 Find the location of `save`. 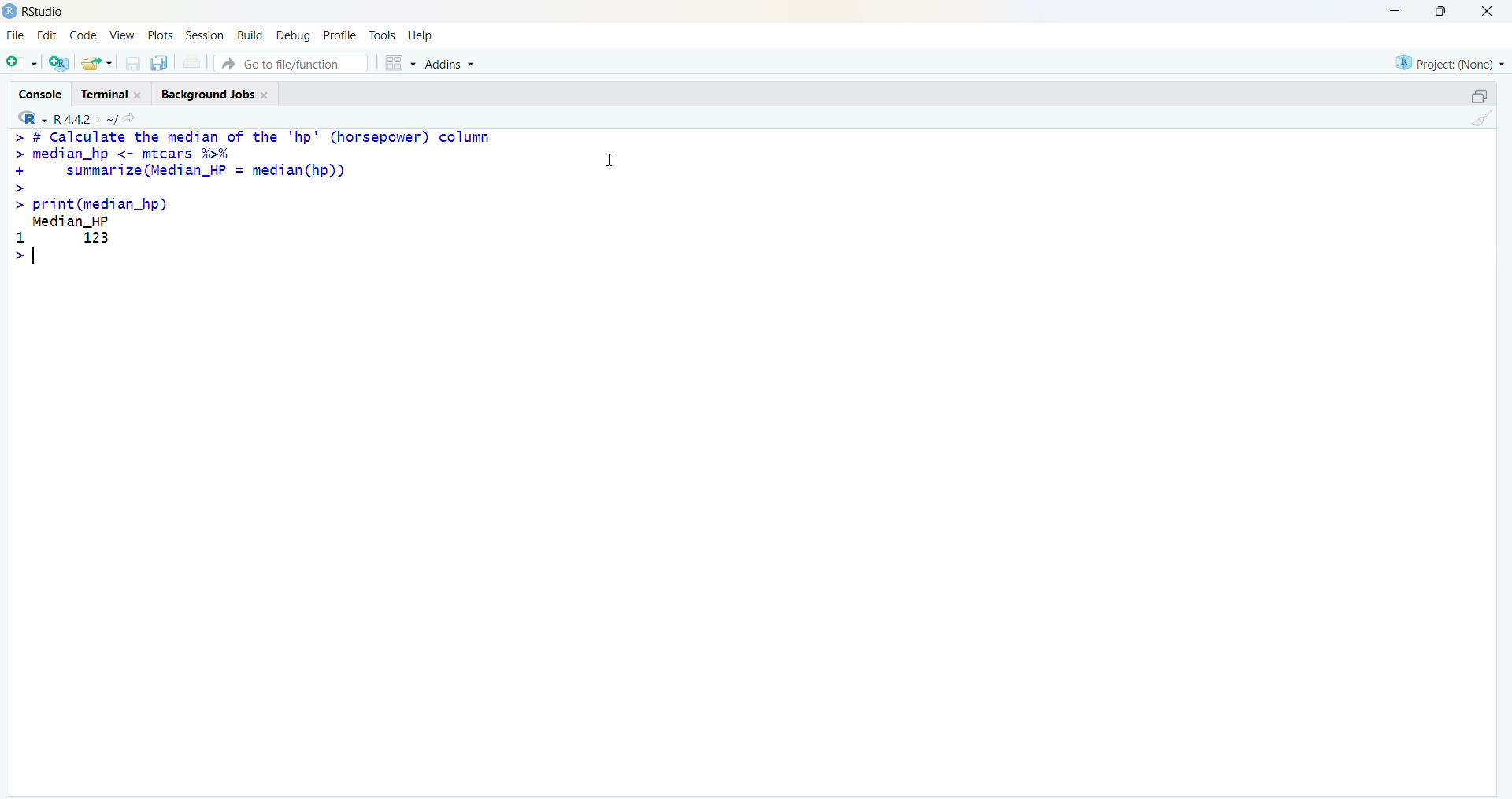

save is located at coordinates (135, 63).